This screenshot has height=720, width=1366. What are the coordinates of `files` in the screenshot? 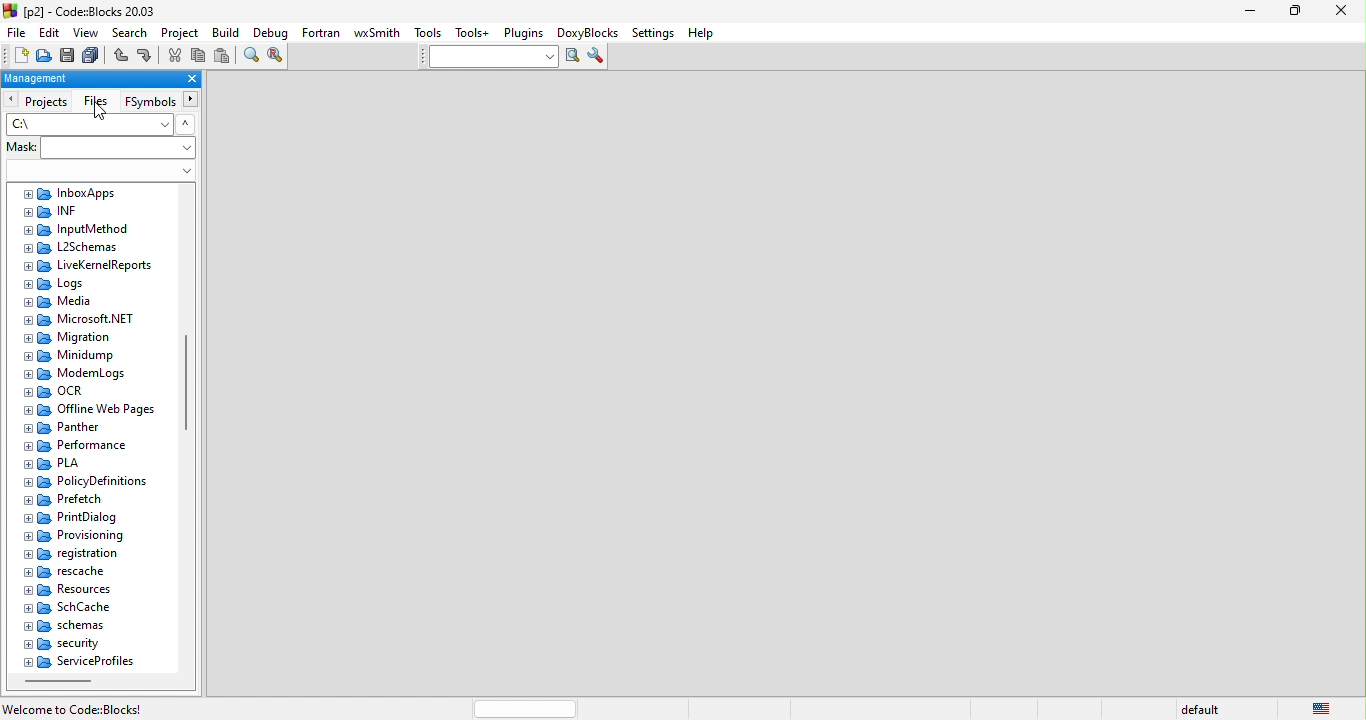 It's located at (95, 98).